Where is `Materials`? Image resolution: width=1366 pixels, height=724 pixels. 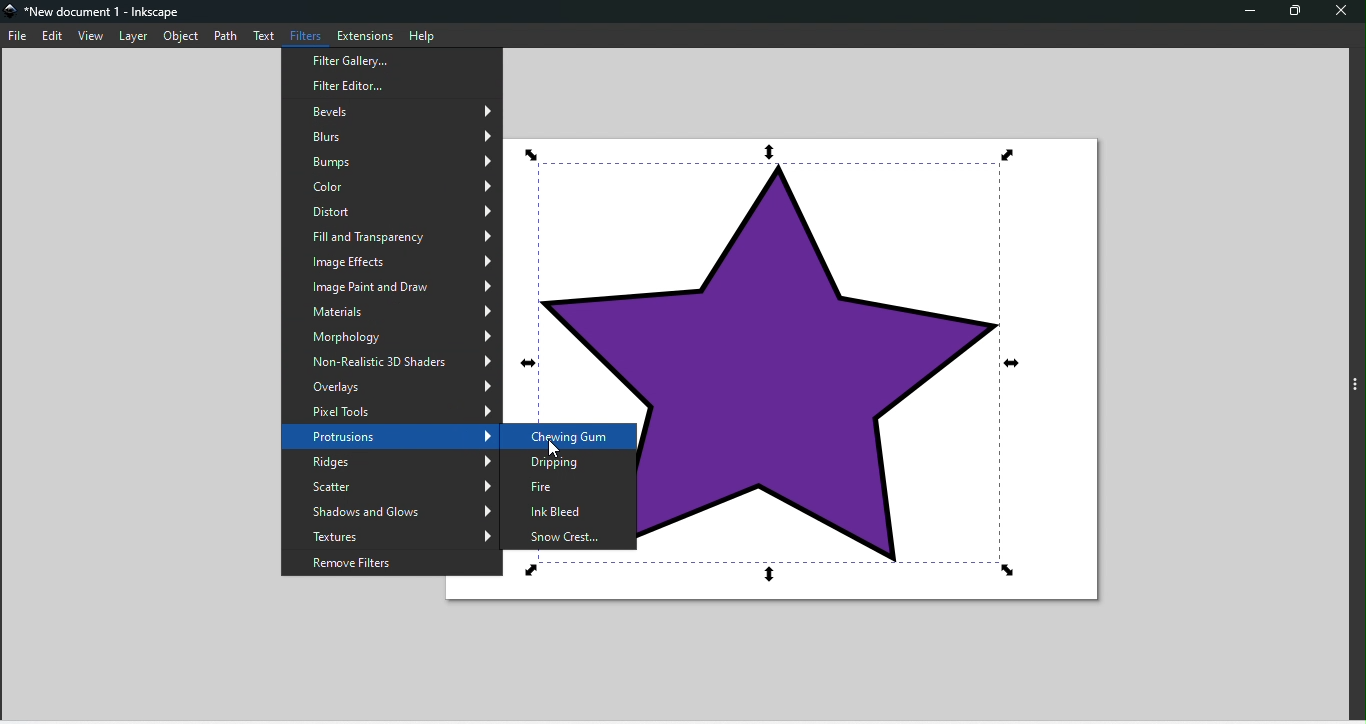
Materials is located at coordinates (390, 310).